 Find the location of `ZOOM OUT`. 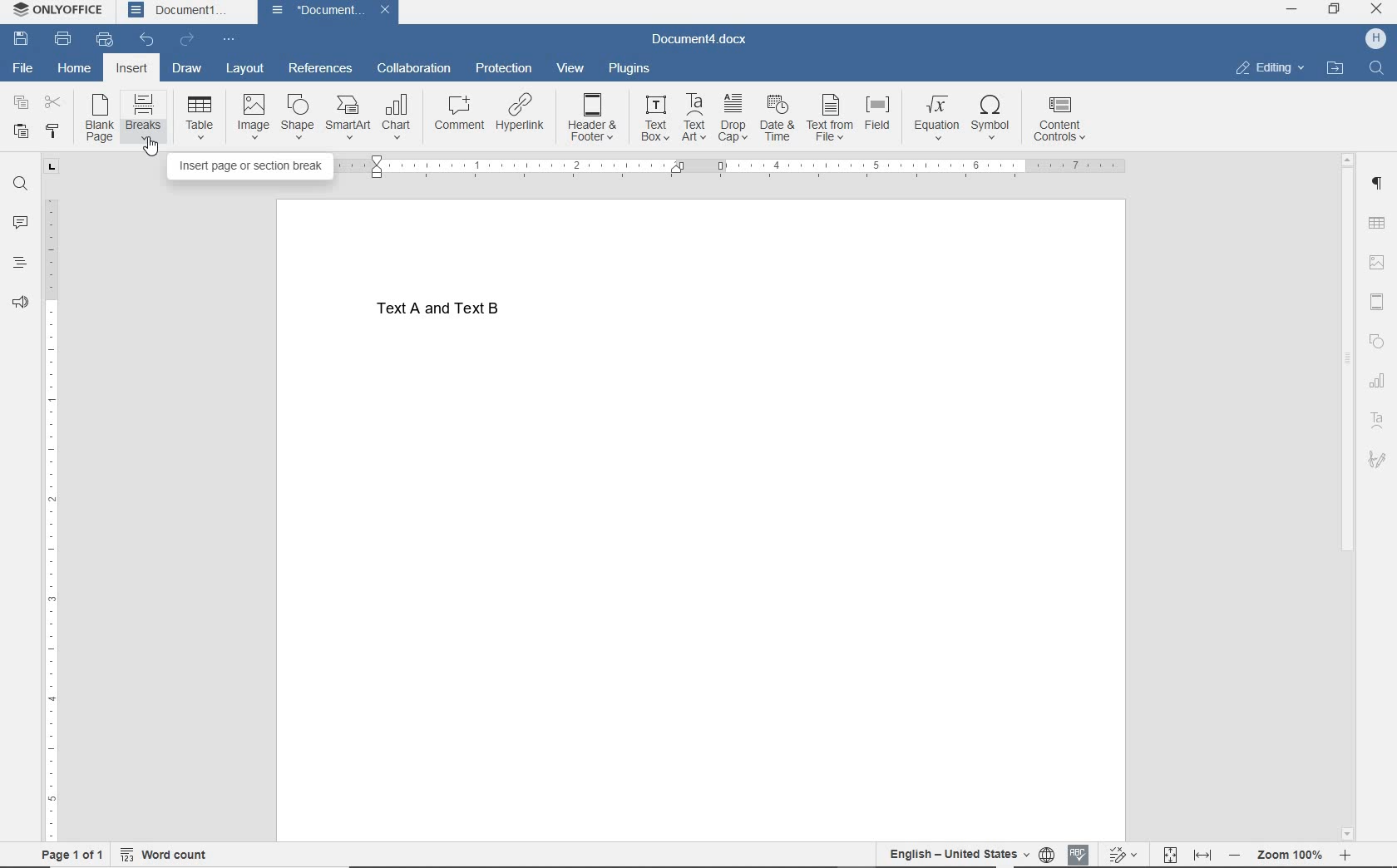

ZOOM OUT is located at coordinates (1290, 855).